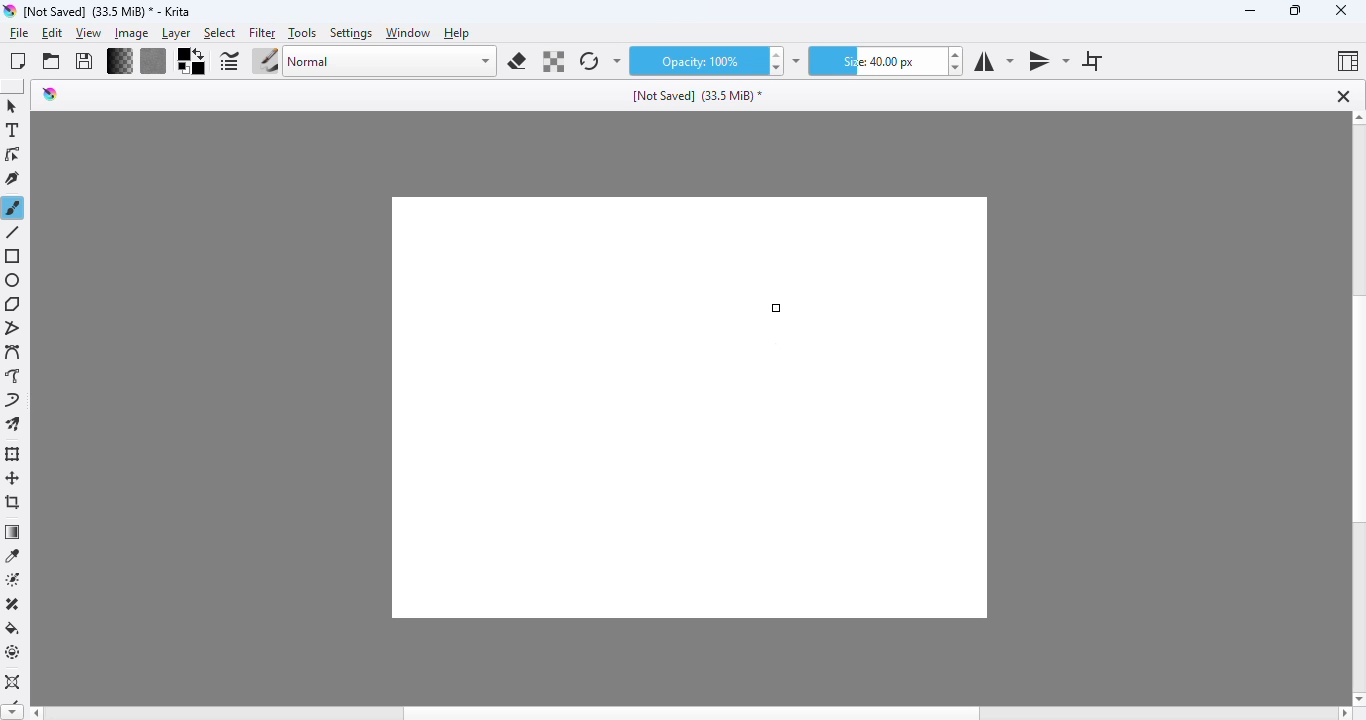 The height and width of the screenshot is (720, 1366). What do you see at coordinates (552, 61) in the screenshot?
I see `preserve alpha` at bounding box center [552, 61].